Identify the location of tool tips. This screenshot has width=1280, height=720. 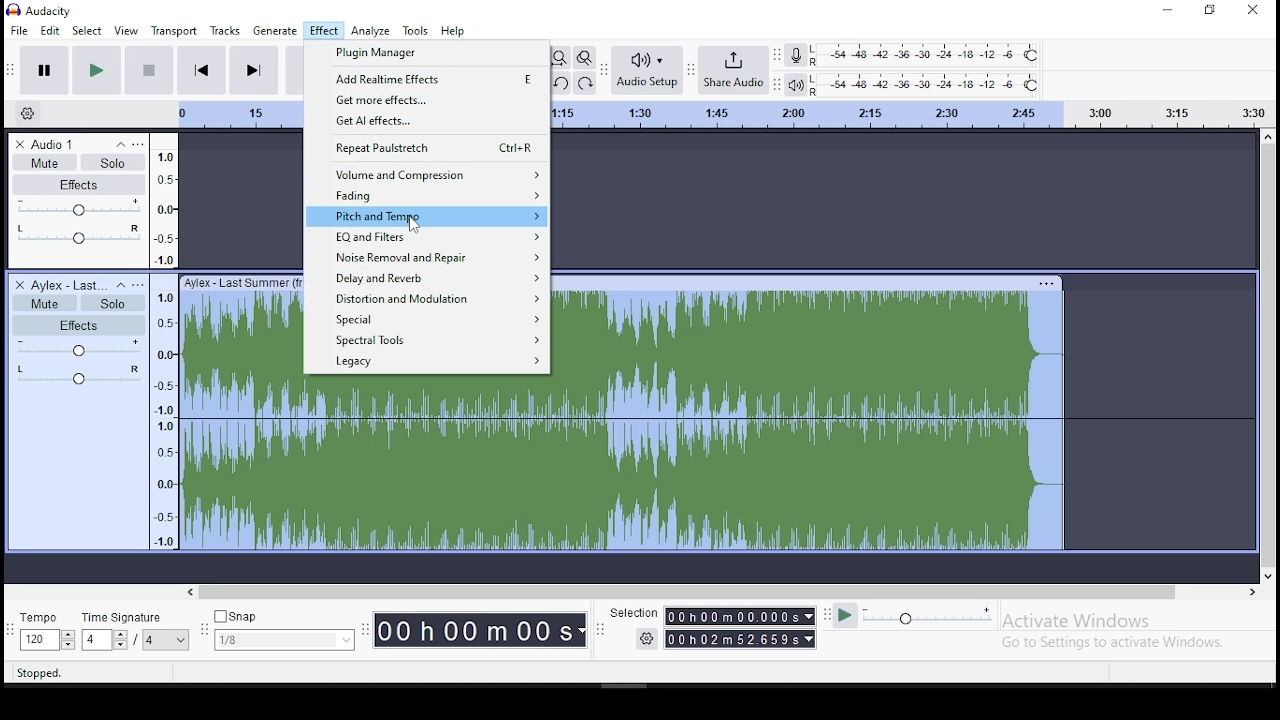
(45, 674).